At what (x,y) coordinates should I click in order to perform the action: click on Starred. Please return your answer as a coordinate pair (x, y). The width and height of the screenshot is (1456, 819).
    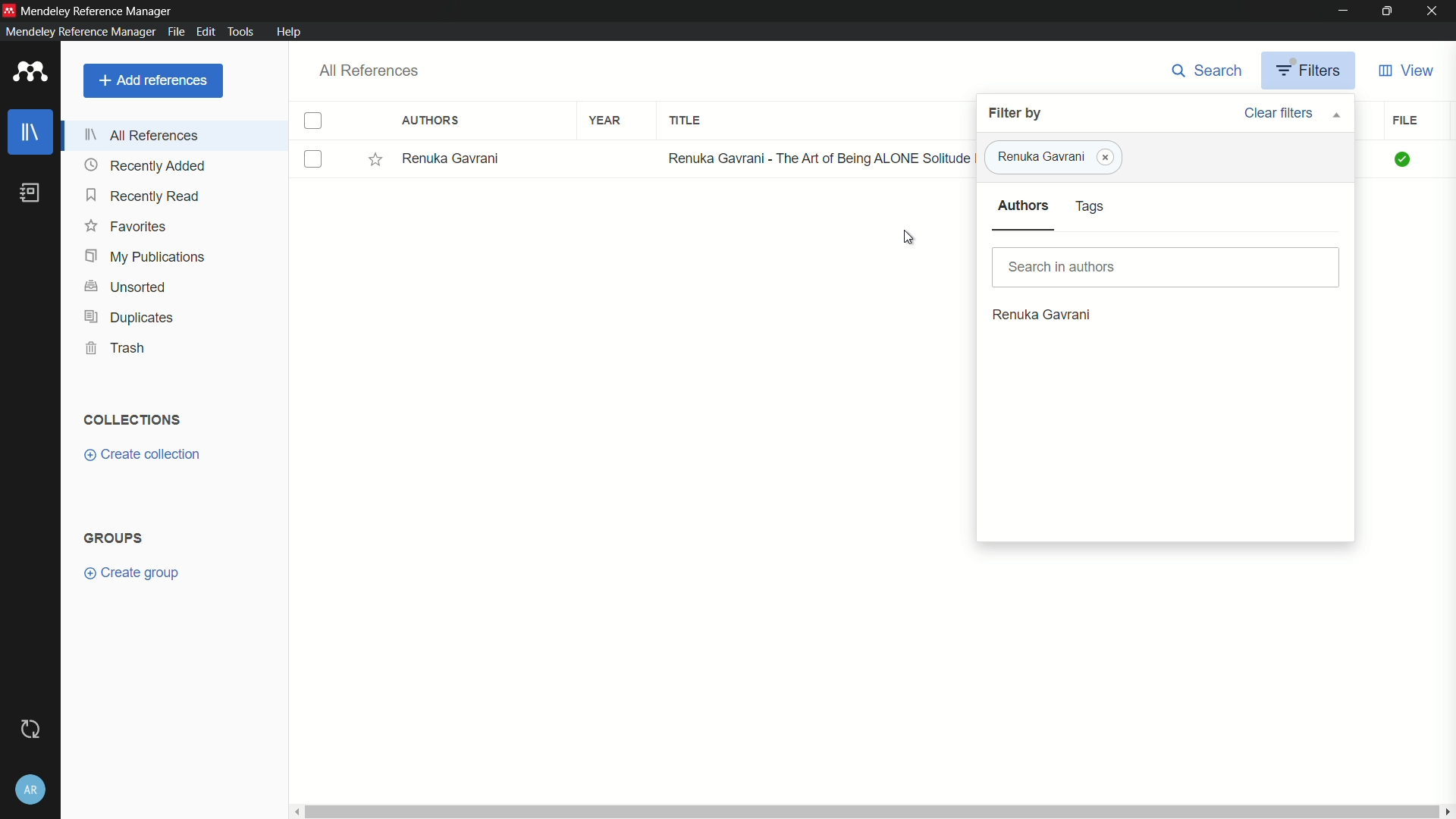
    Looking at the image, I should click on (374, 158).